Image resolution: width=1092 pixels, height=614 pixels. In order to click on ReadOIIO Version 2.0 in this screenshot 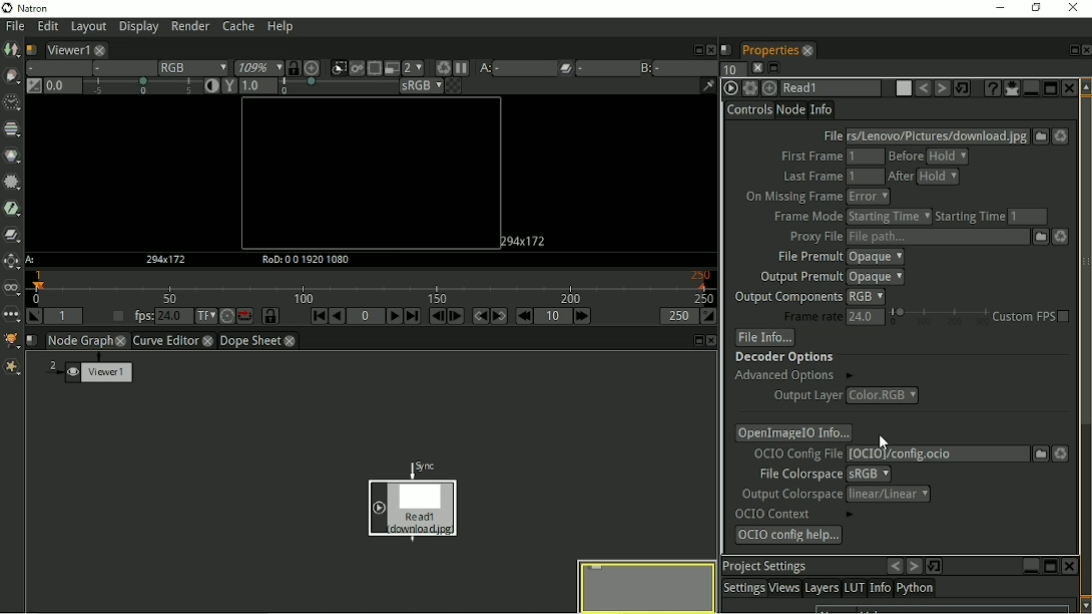, I will do `click(729, 88)`.